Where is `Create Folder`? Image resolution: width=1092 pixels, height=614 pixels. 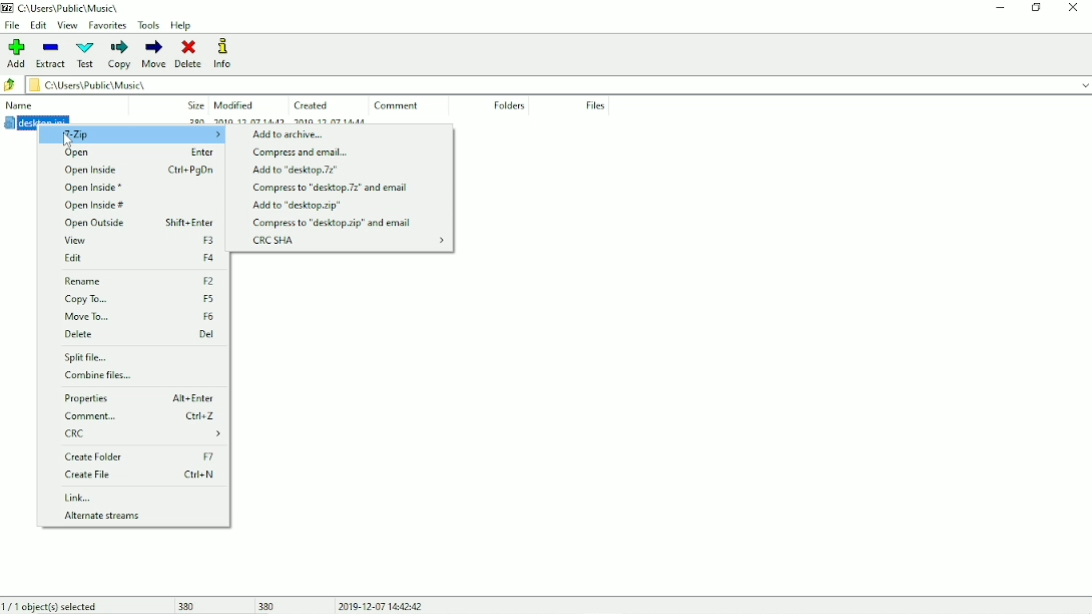 Create Folder is located at coordinates (140, 456).